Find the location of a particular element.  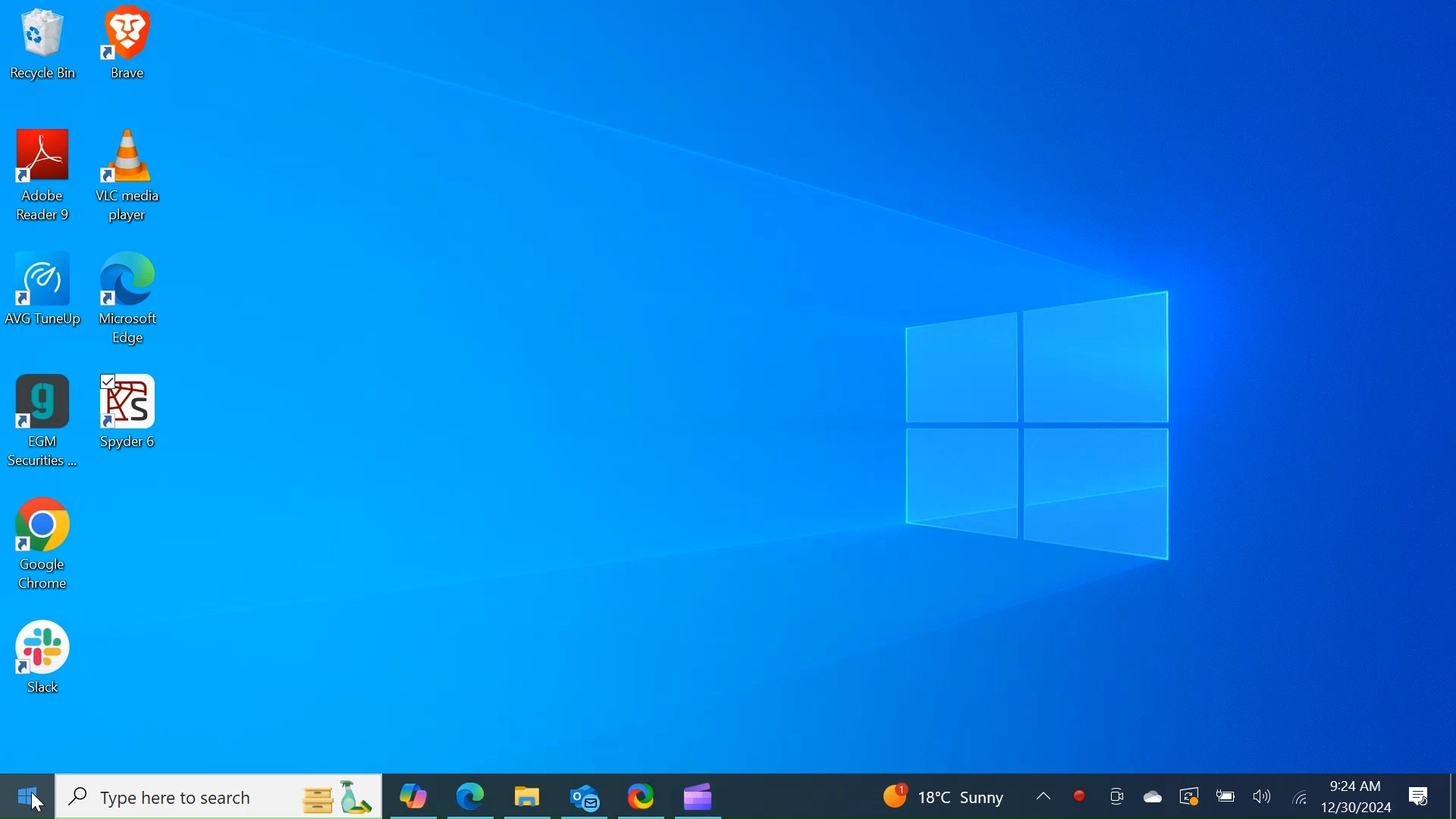

Recycle bin Desktop icon is located at coordinates (43, 49).